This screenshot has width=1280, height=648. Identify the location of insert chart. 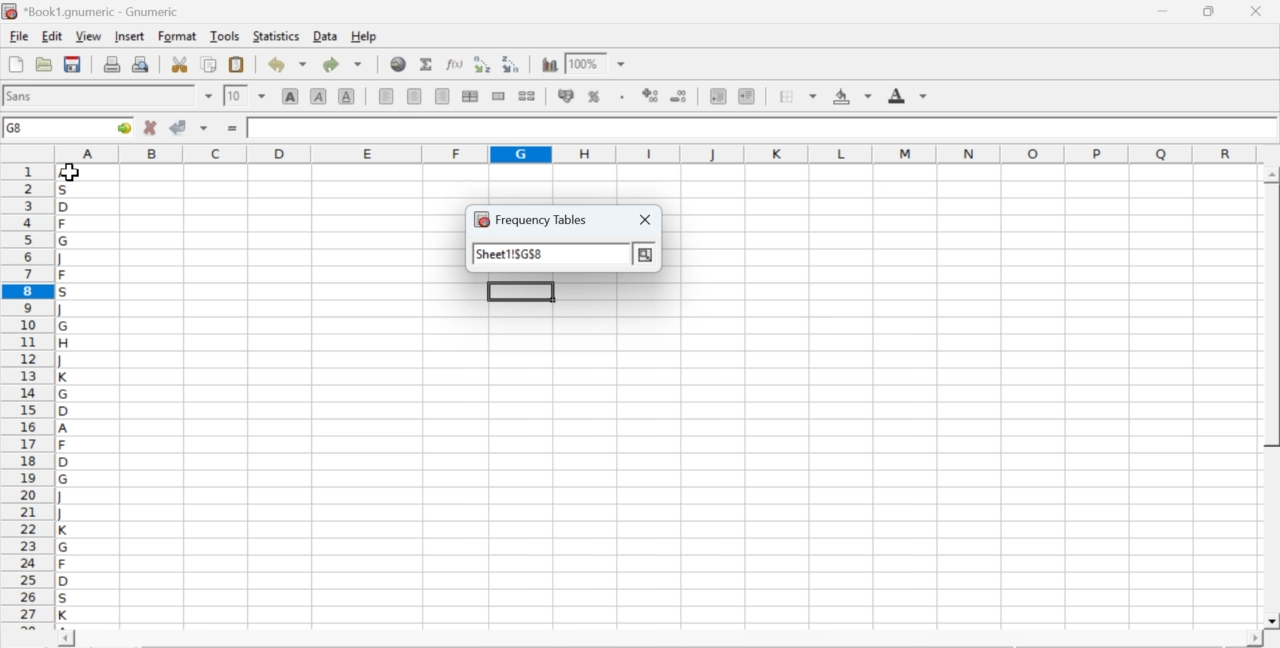
(550, 63).